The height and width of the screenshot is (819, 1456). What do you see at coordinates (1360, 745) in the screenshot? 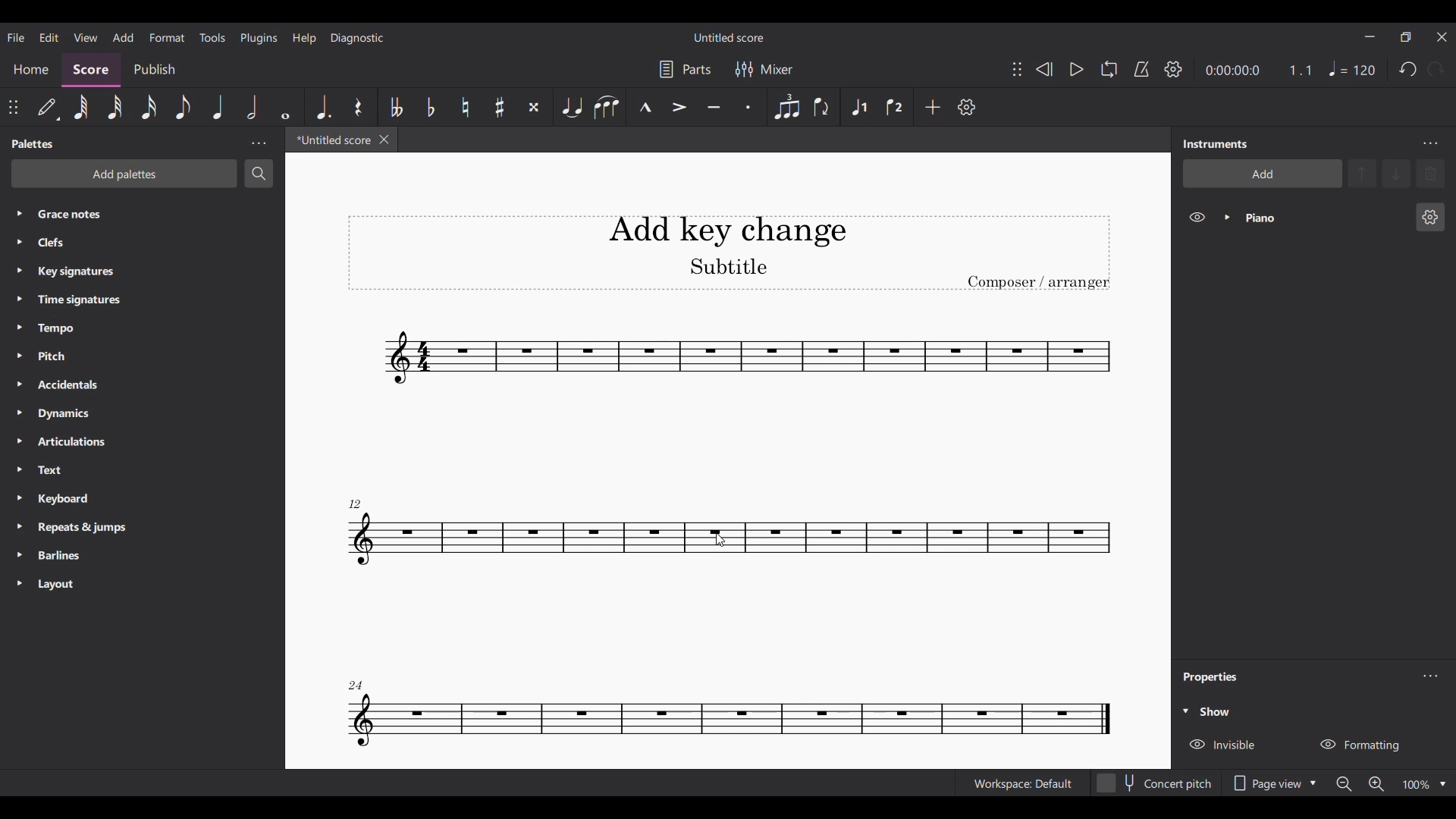
I see `Show/Hide Formatting ` at bounding box center [1360, 745].